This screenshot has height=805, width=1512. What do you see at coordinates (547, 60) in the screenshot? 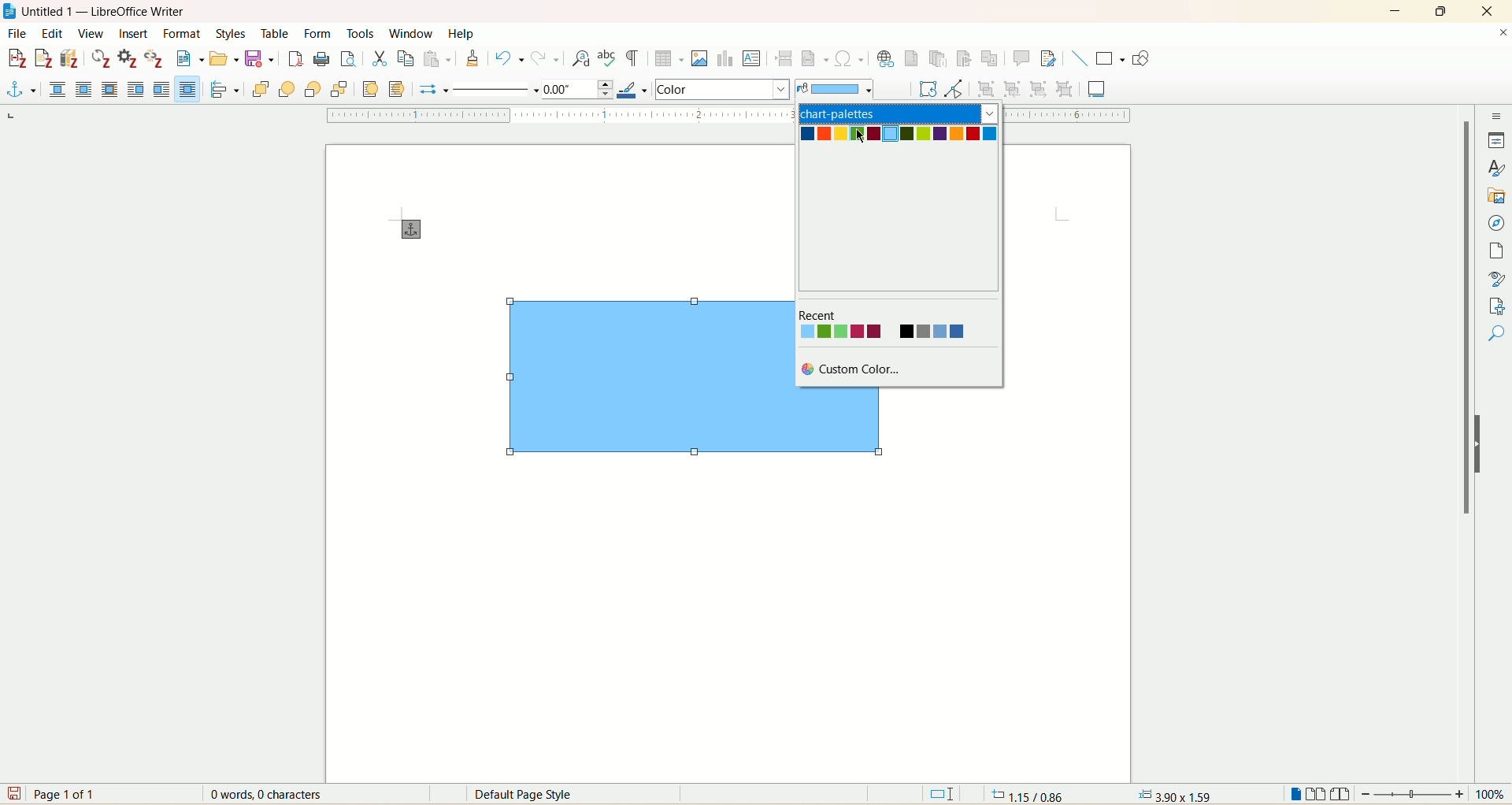
I see `redo` at bounding box center [547, 60].